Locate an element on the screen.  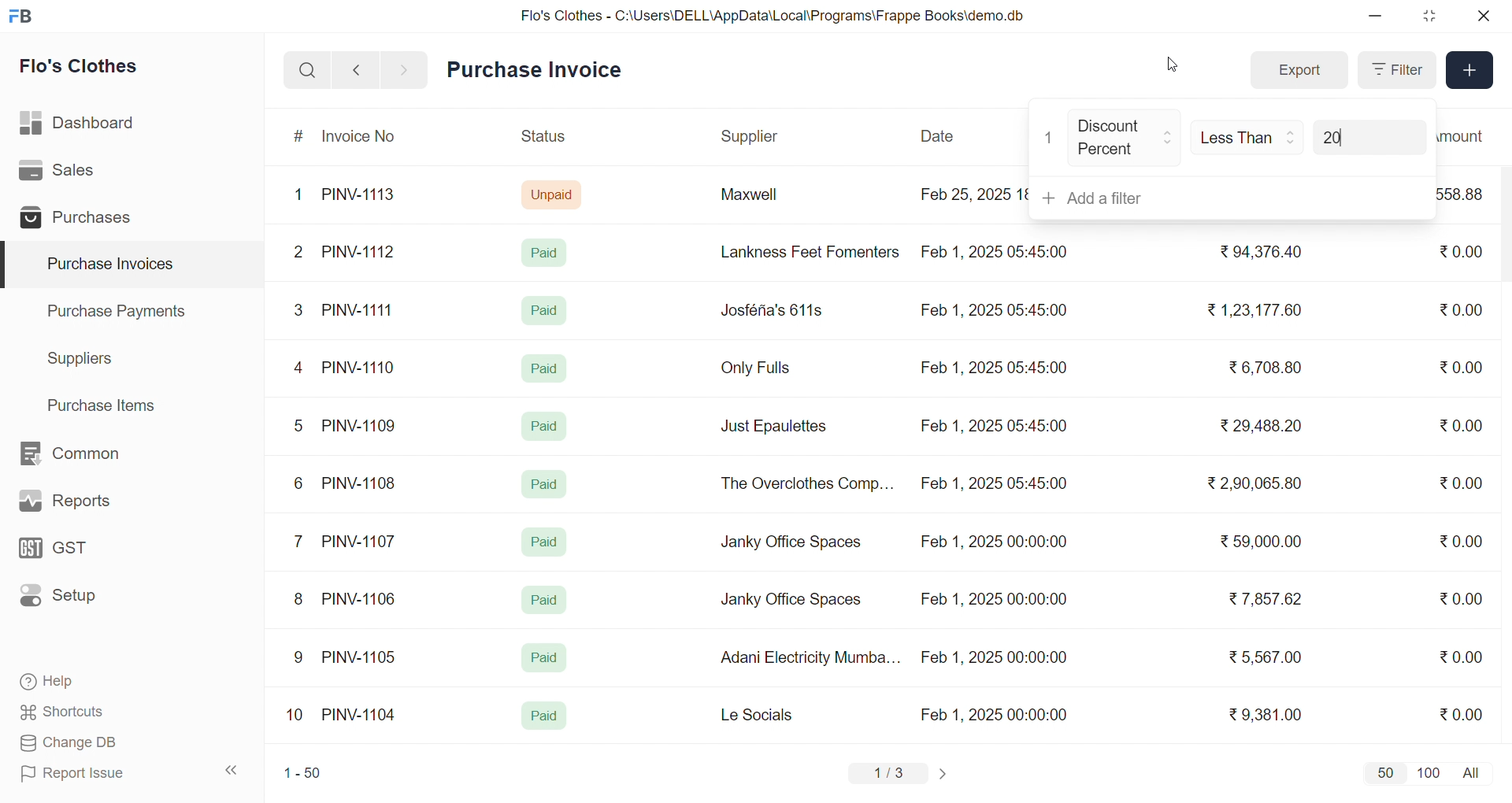
PINV-1110 is located at coordinates (360, 367).